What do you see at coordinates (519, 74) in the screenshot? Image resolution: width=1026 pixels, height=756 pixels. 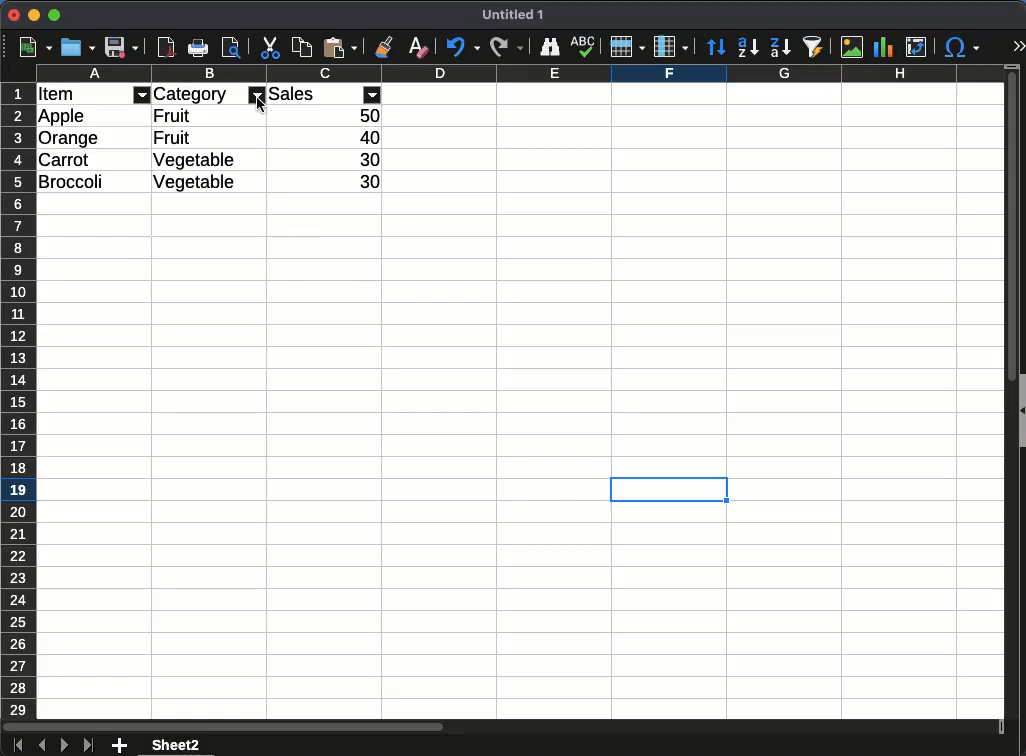 I see `column` at bounding box center [519, 74].